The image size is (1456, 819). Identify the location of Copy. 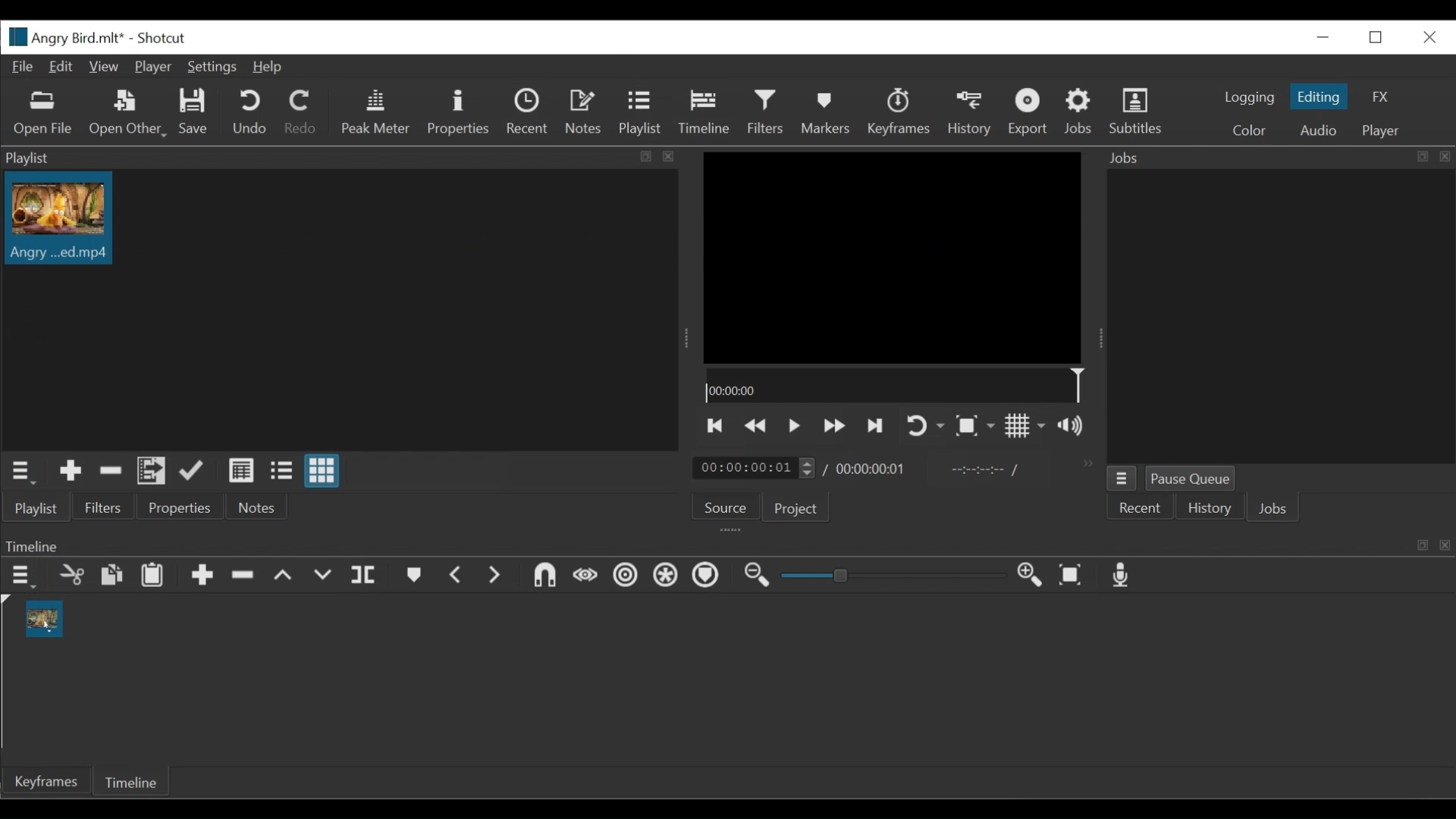
(111, 574).